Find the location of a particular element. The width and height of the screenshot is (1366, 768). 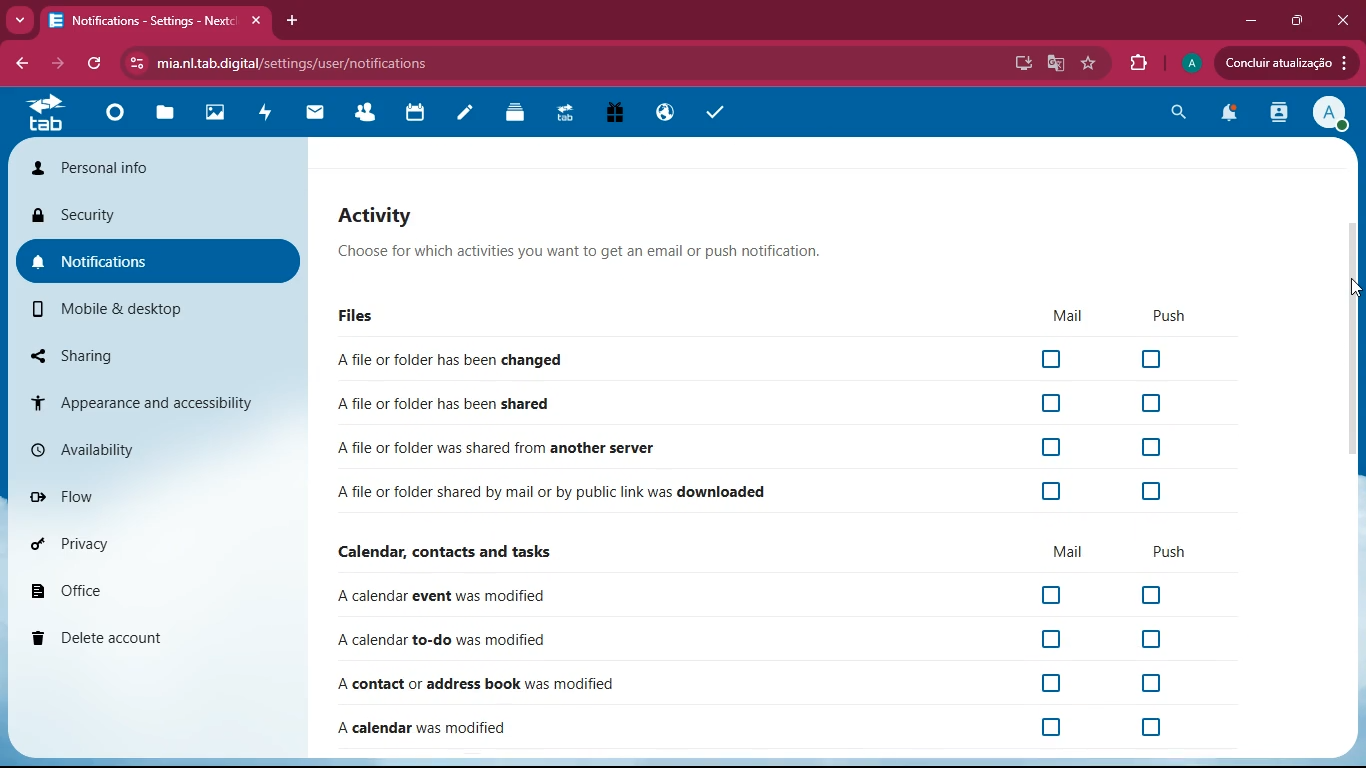

refresh is located at coordinates (96, 66).